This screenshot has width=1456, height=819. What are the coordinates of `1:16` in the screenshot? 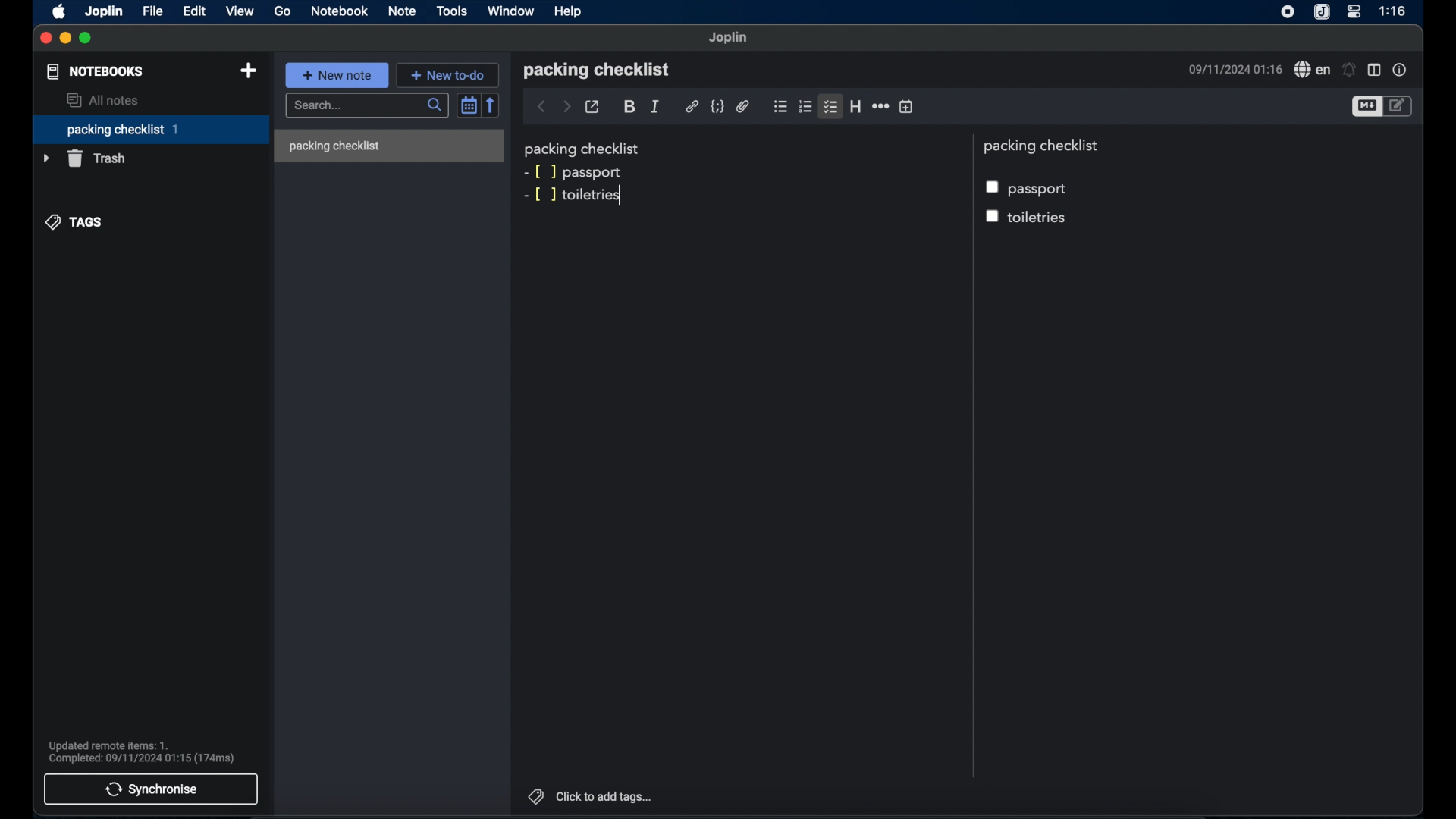 It's located at (1394, 11).